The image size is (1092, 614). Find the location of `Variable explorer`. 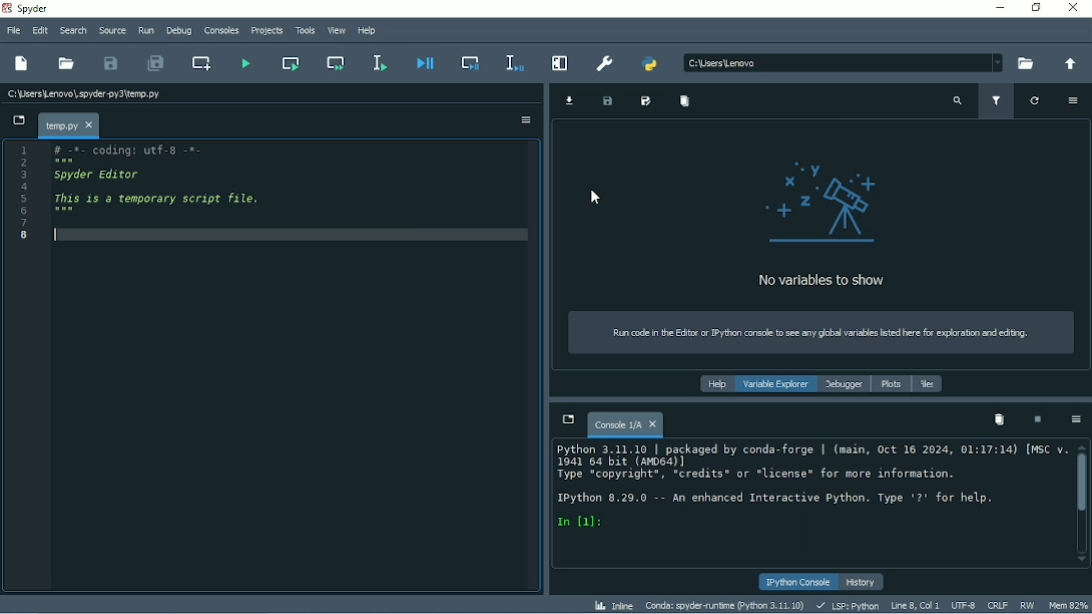

Variable explorer is located at coordinates (777, 385).